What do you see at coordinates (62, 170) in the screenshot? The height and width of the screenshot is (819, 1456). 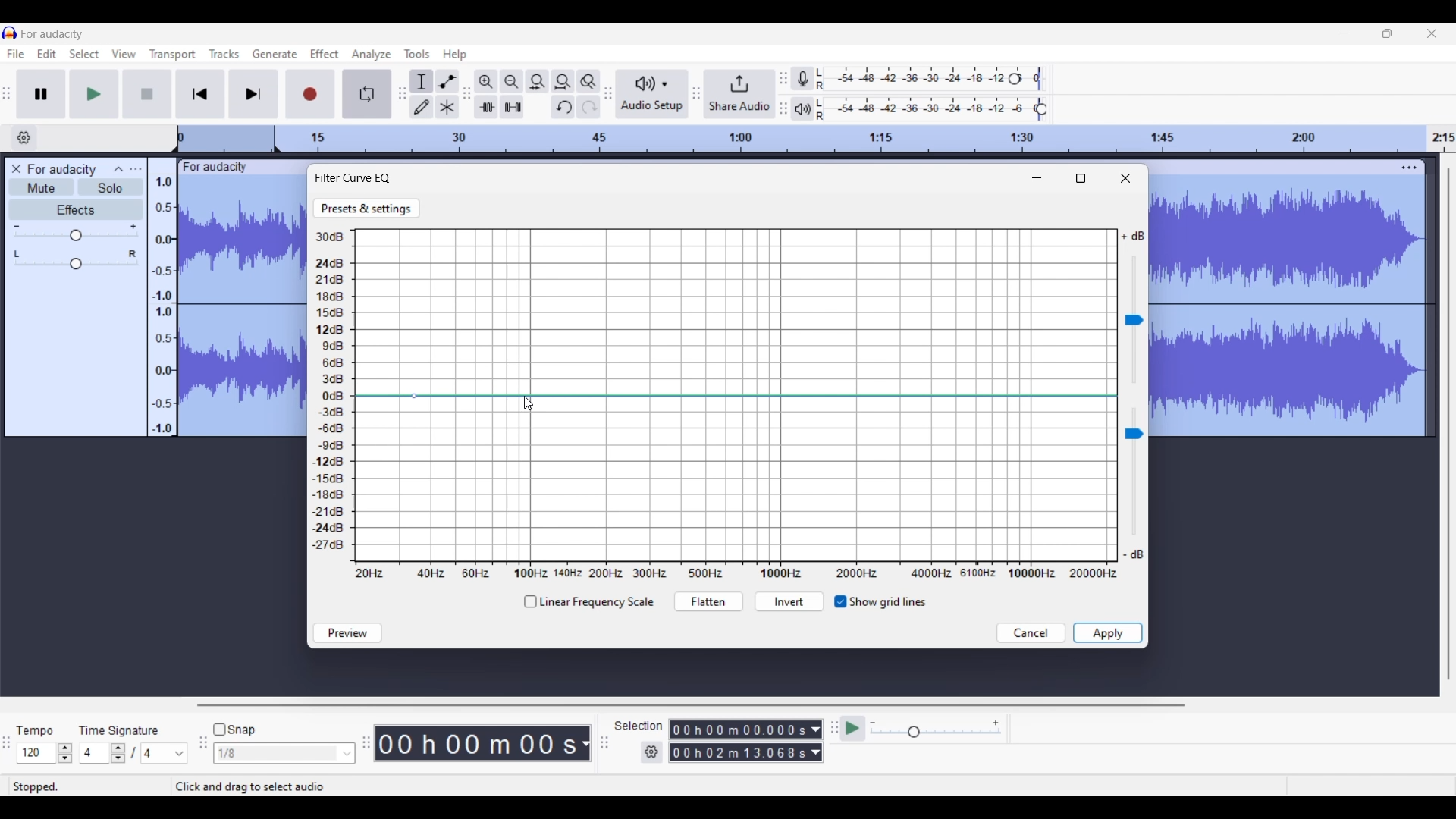 I see `Audio track name` at bounding box center [62, 170].